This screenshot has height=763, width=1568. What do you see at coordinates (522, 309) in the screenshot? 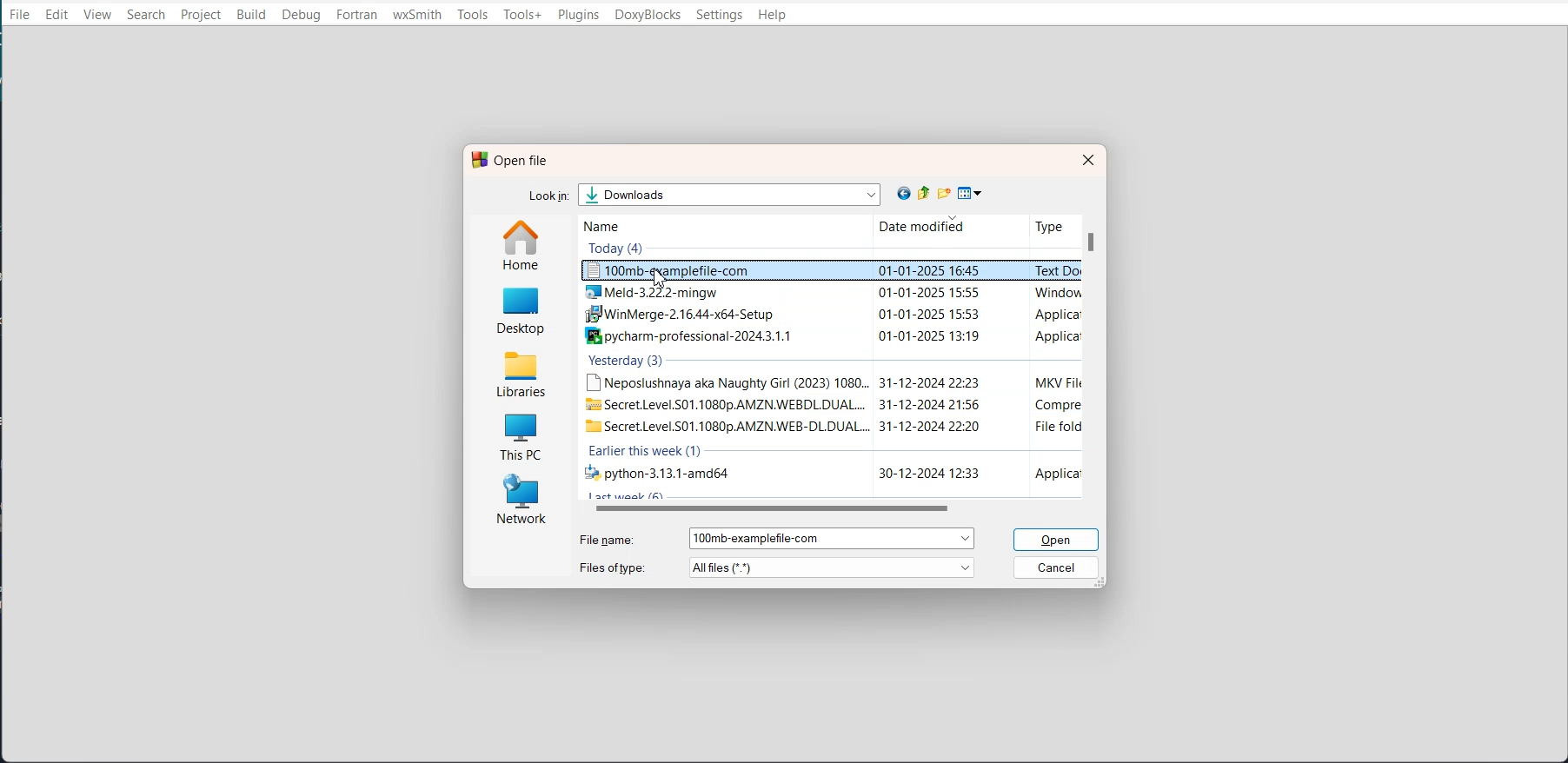
I see `Desktop` at bounding box center [522, 309].